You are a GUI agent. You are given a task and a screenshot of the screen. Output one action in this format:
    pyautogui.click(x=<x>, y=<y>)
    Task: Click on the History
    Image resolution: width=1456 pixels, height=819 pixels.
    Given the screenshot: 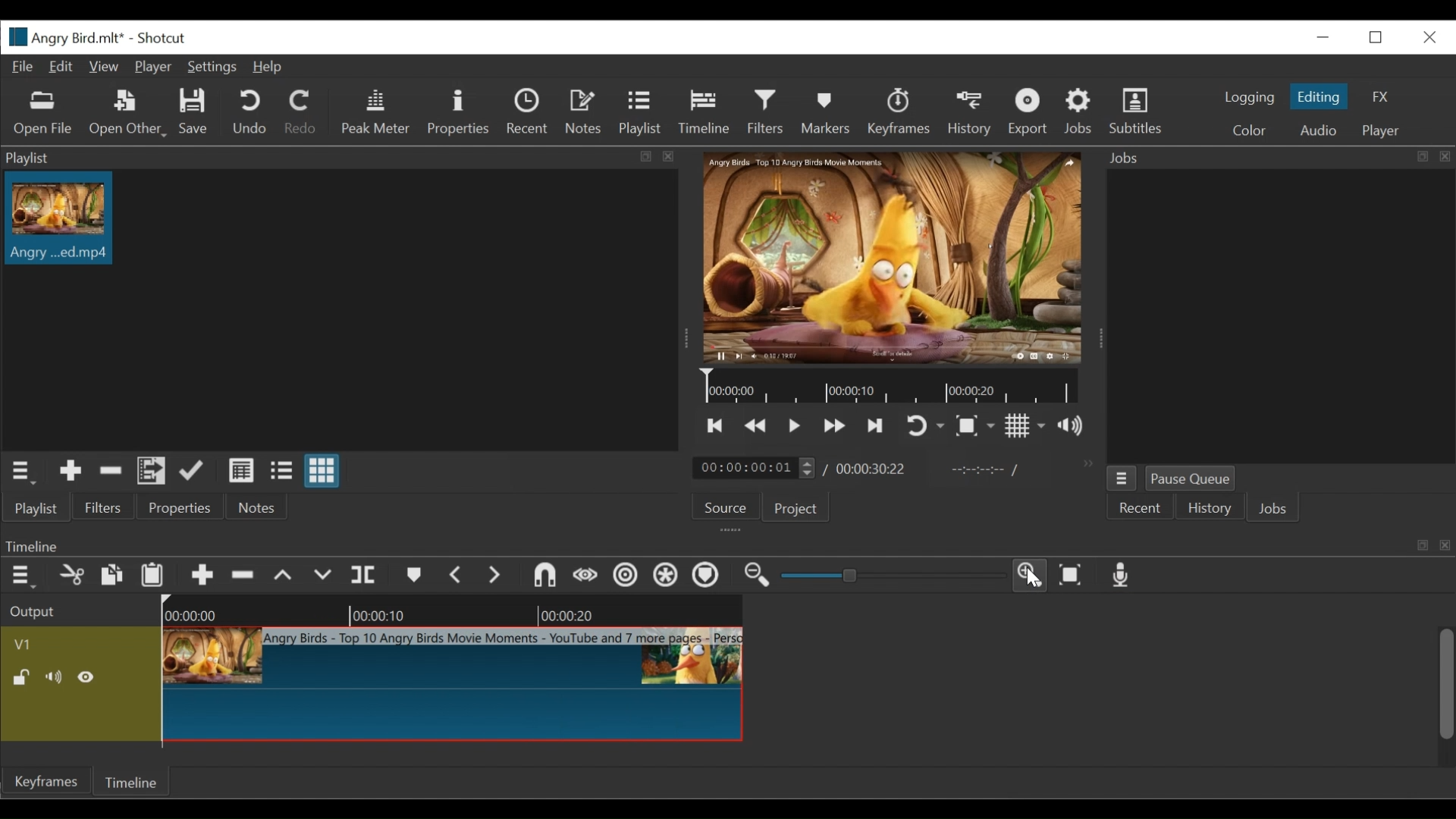 What is the action you would take?
    pyautogui.click(x=1209, y=507)
    